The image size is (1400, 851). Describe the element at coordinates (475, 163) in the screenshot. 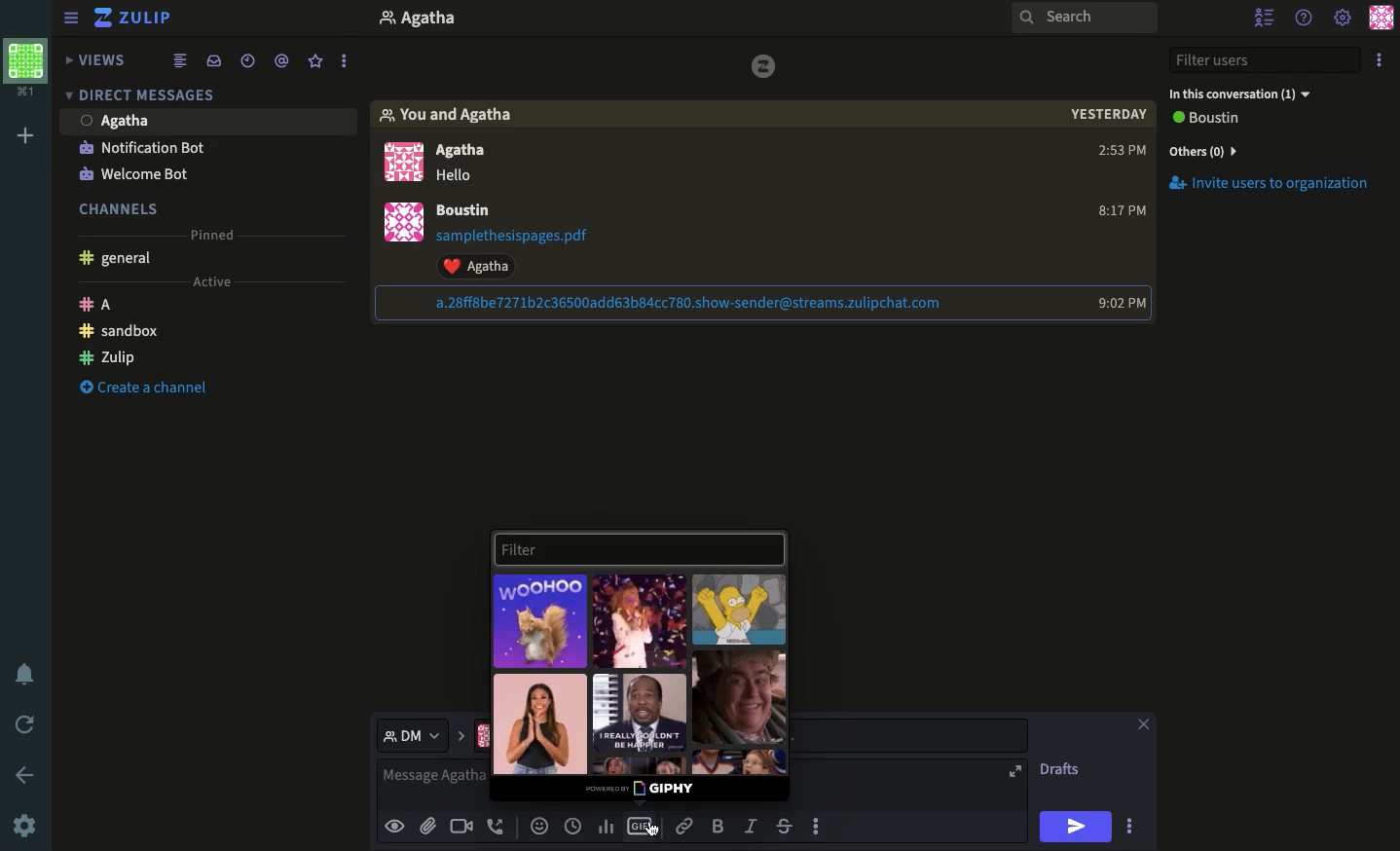

I see `User` at that location.